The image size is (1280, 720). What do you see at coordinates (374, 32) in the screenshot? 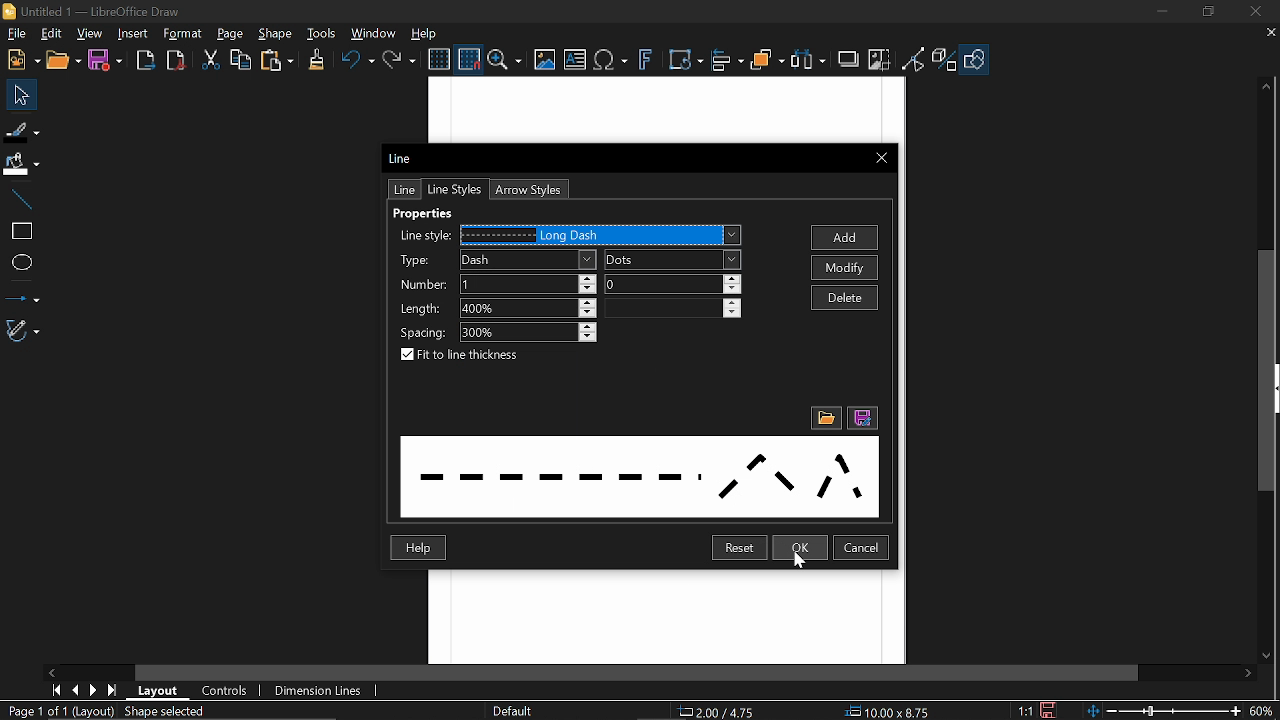
I see `Window` at bounding box center [374, 32].